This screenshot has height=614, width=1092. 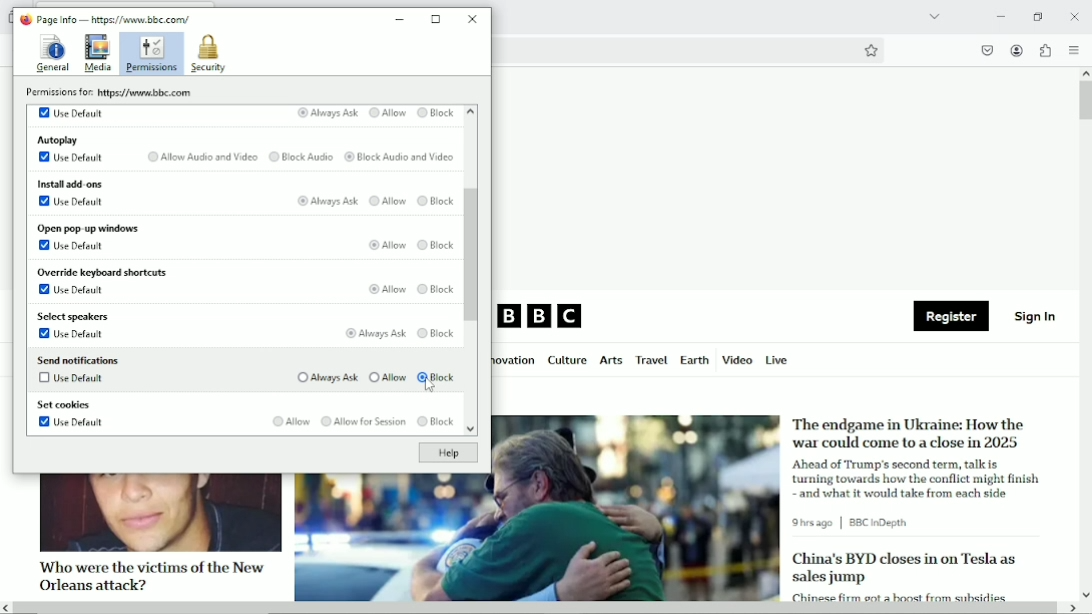 I want to click on Use default, so click(x=75, y=292).